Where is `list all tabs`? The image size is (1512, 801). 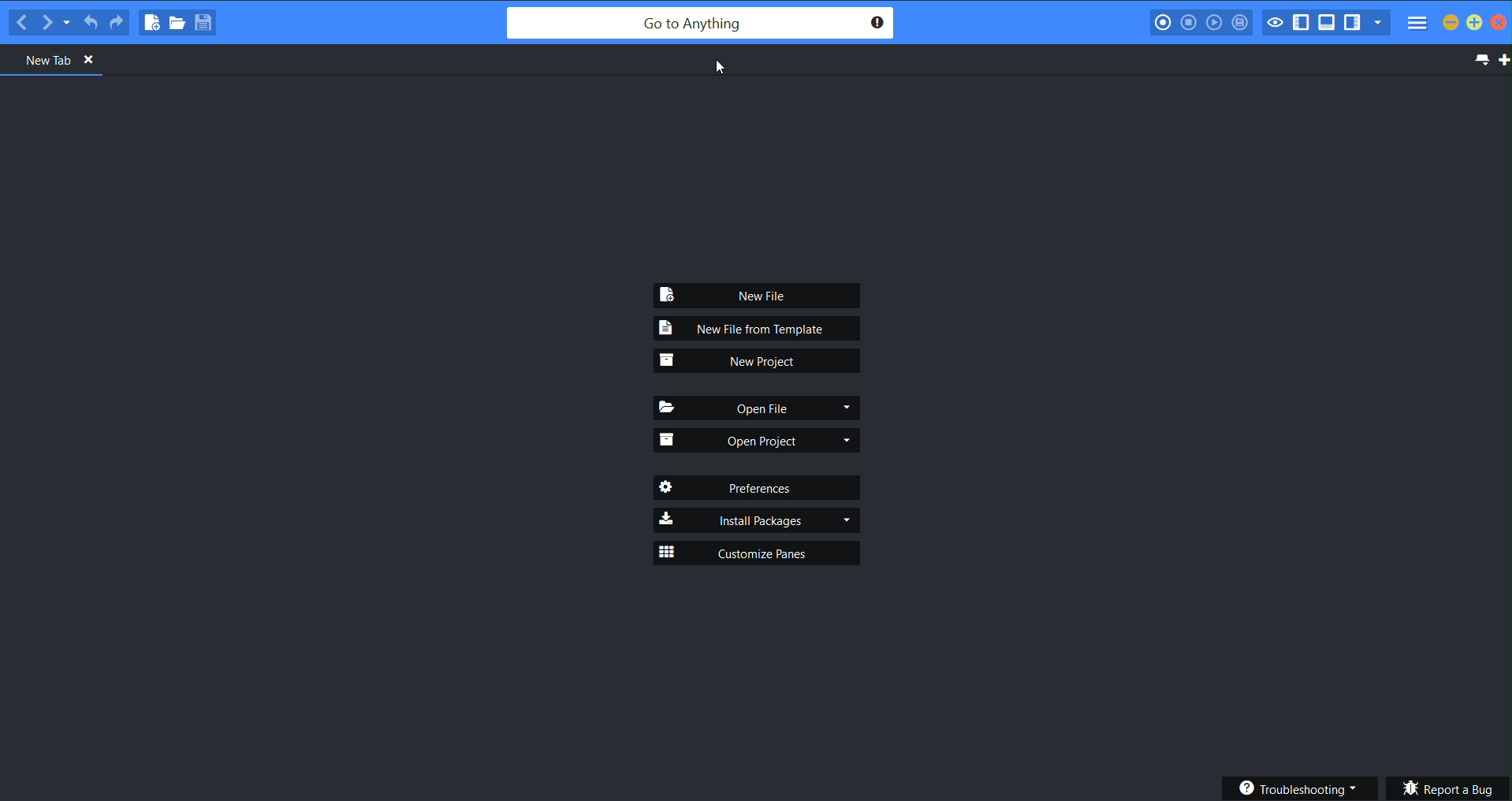 list all tabs is located at coordinates (1482, 61).